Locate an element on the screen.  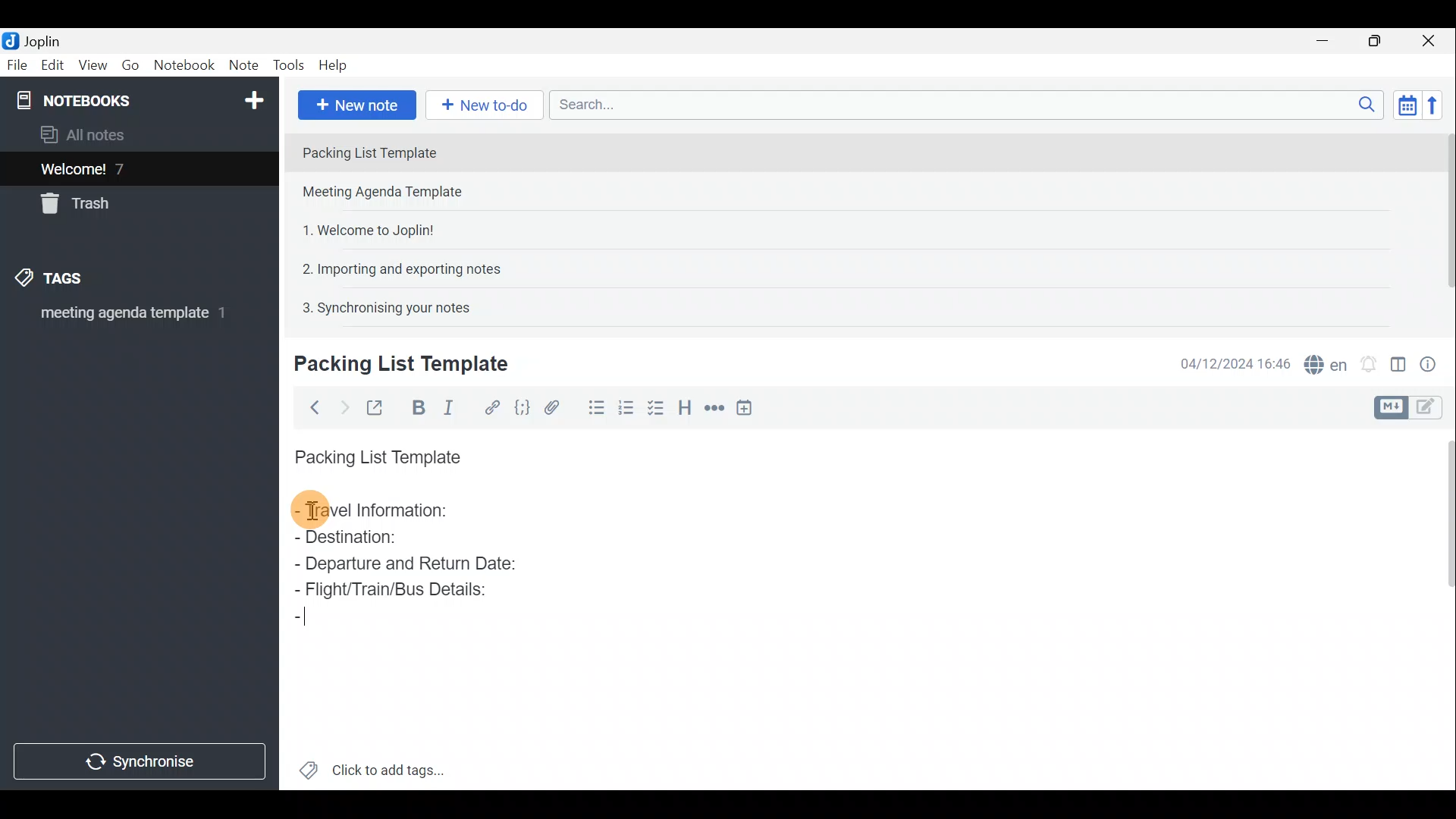
All notes is located at coordinates (88, 134).